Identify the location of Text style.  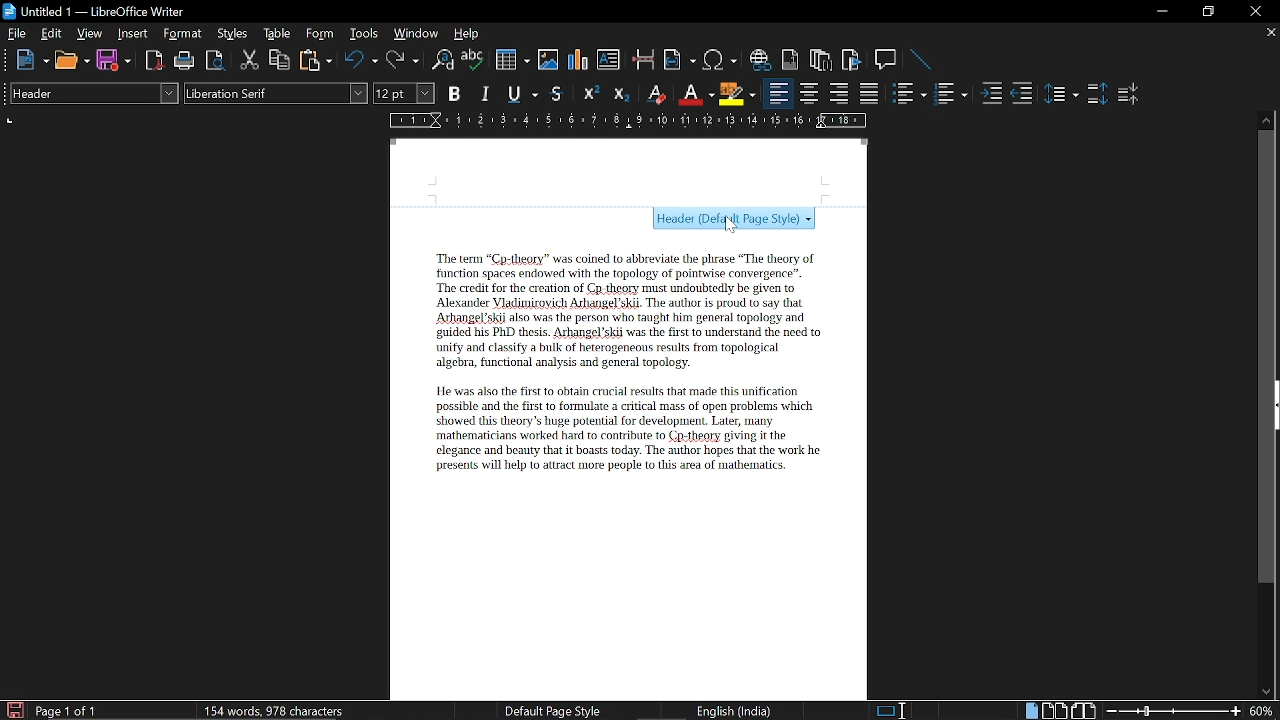
(277, 93).